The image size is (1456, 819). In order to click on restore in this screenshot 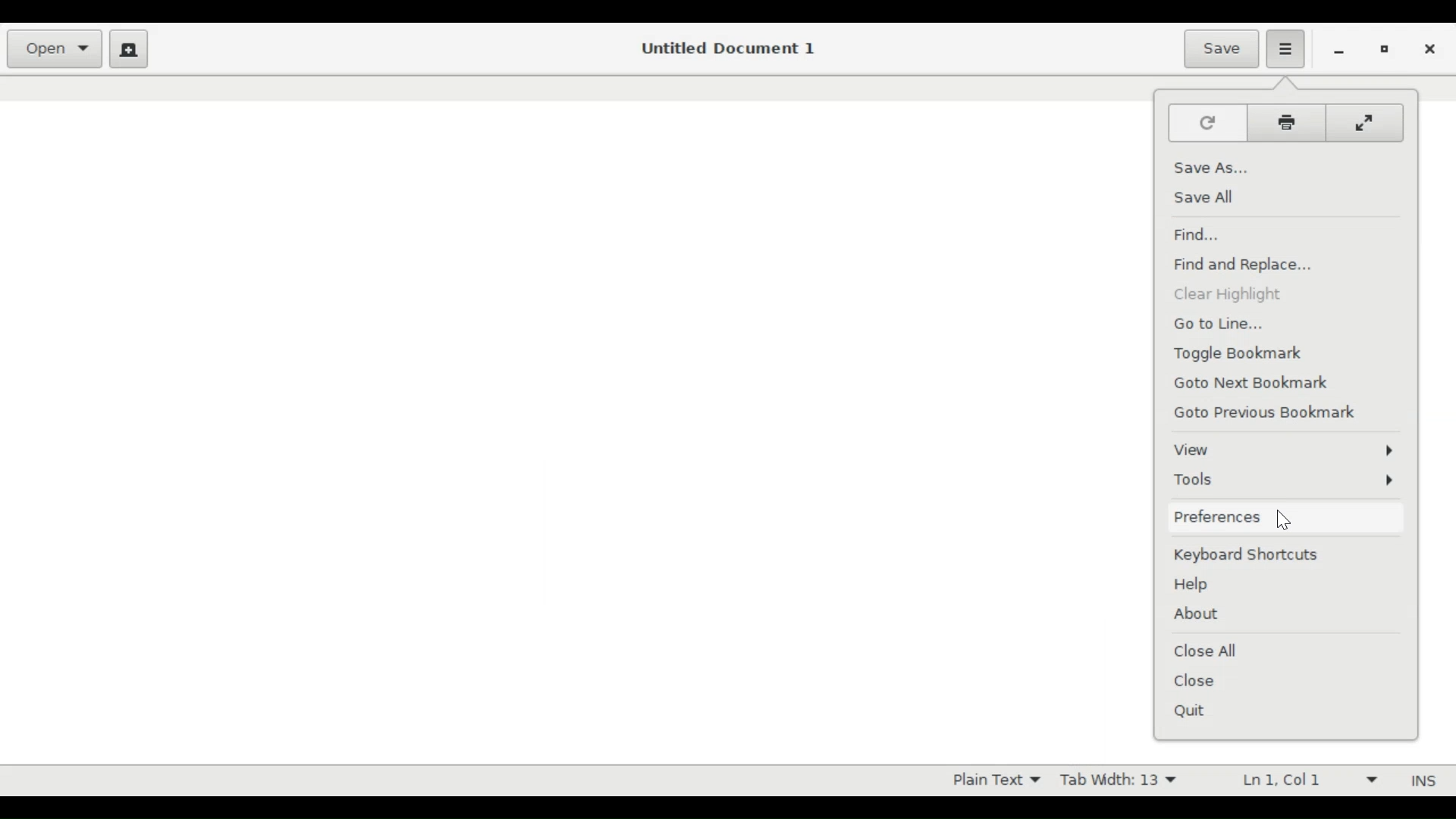, I will do `click(1382, 49)`.